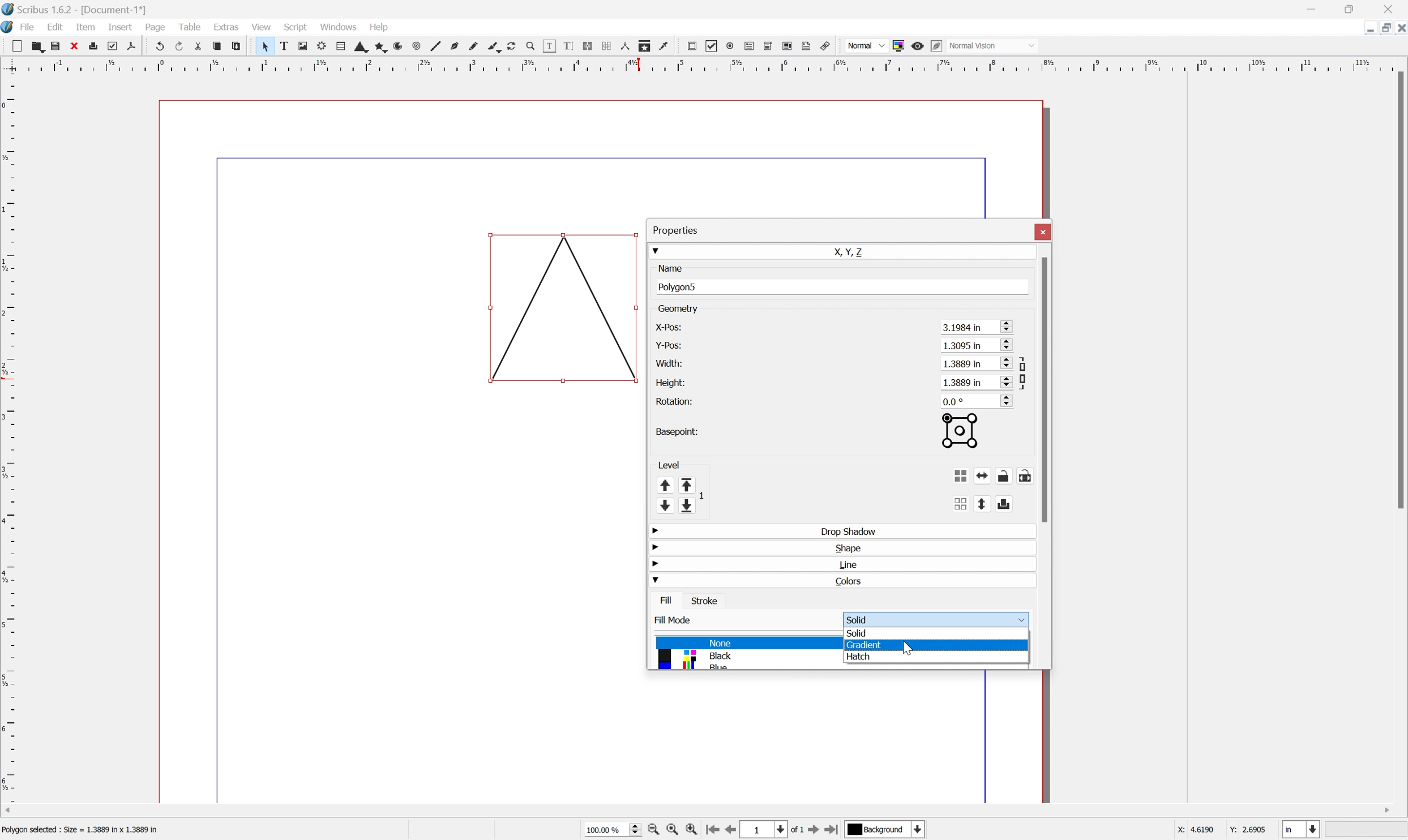 The width and height of the screenshot is (1408, 840). What do you see at coordinates (549, 46) in the screenshot?
I see `Edit contents of frame` at bounding box center [549, 46].